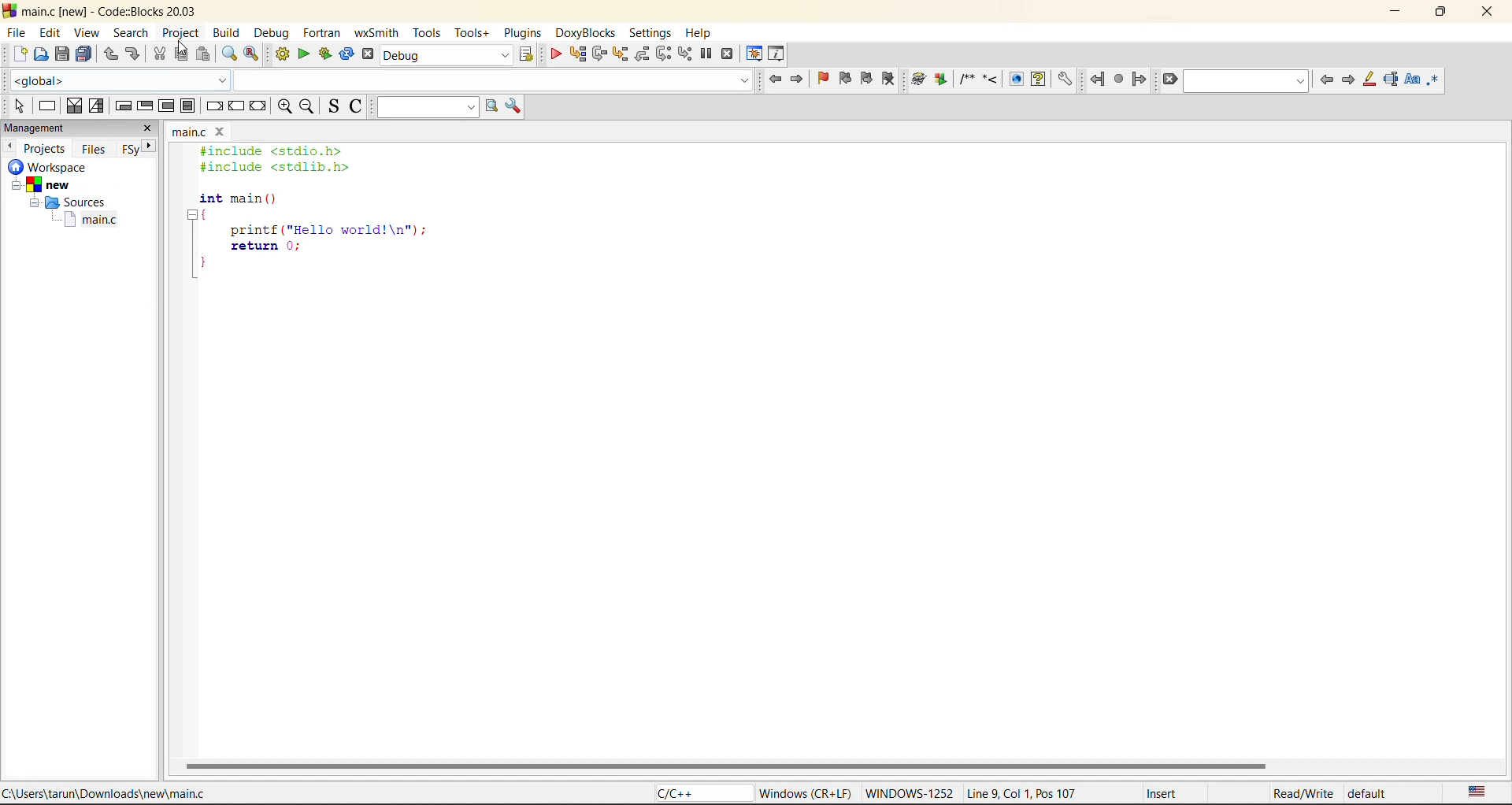  What do you see at coordinates (283, 54) in the screenshot?
I see `build` at bounding box center [283, 54].